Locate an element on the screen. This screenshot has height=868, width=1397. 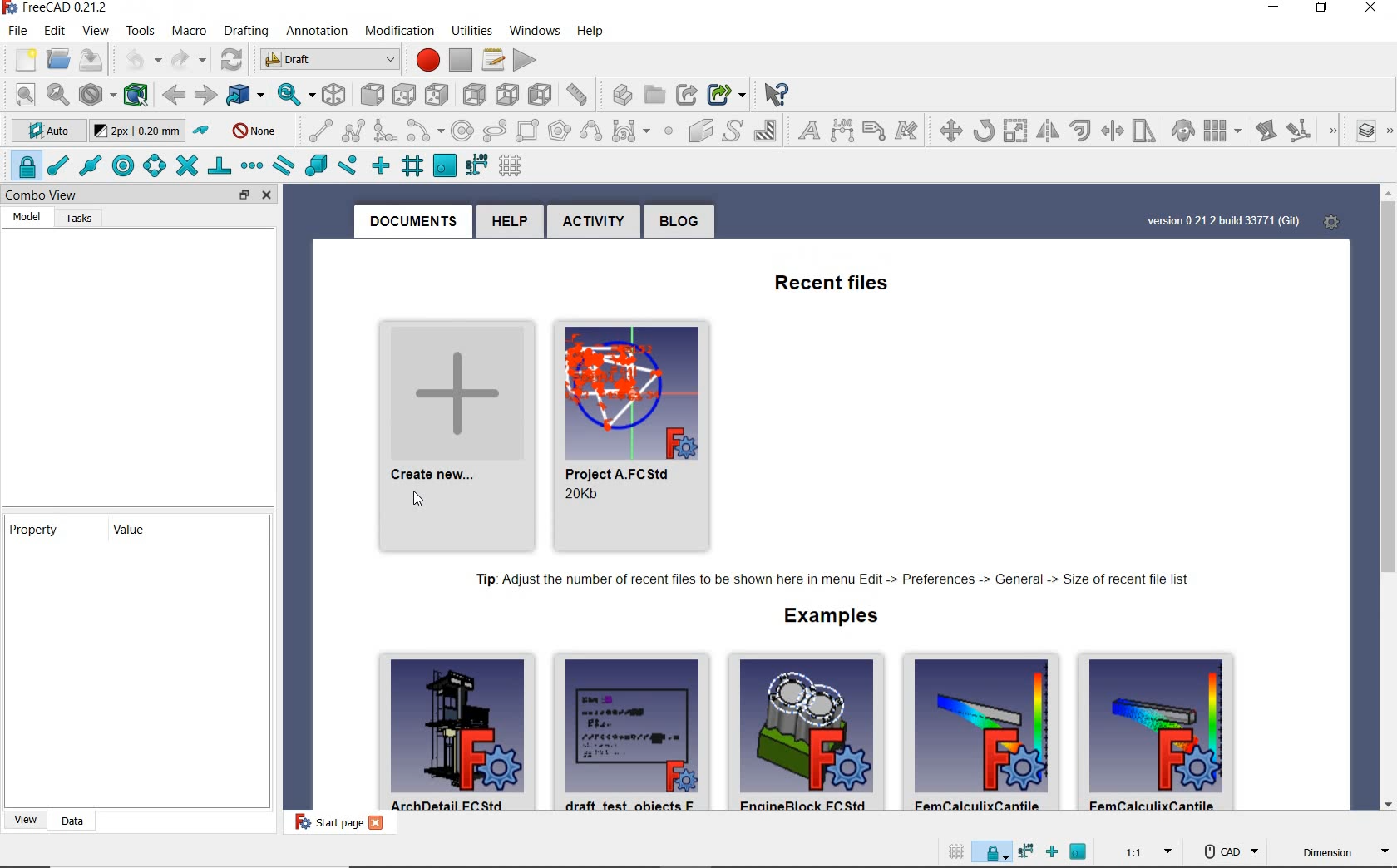
bezier tool is located at coordinates (630, 131).